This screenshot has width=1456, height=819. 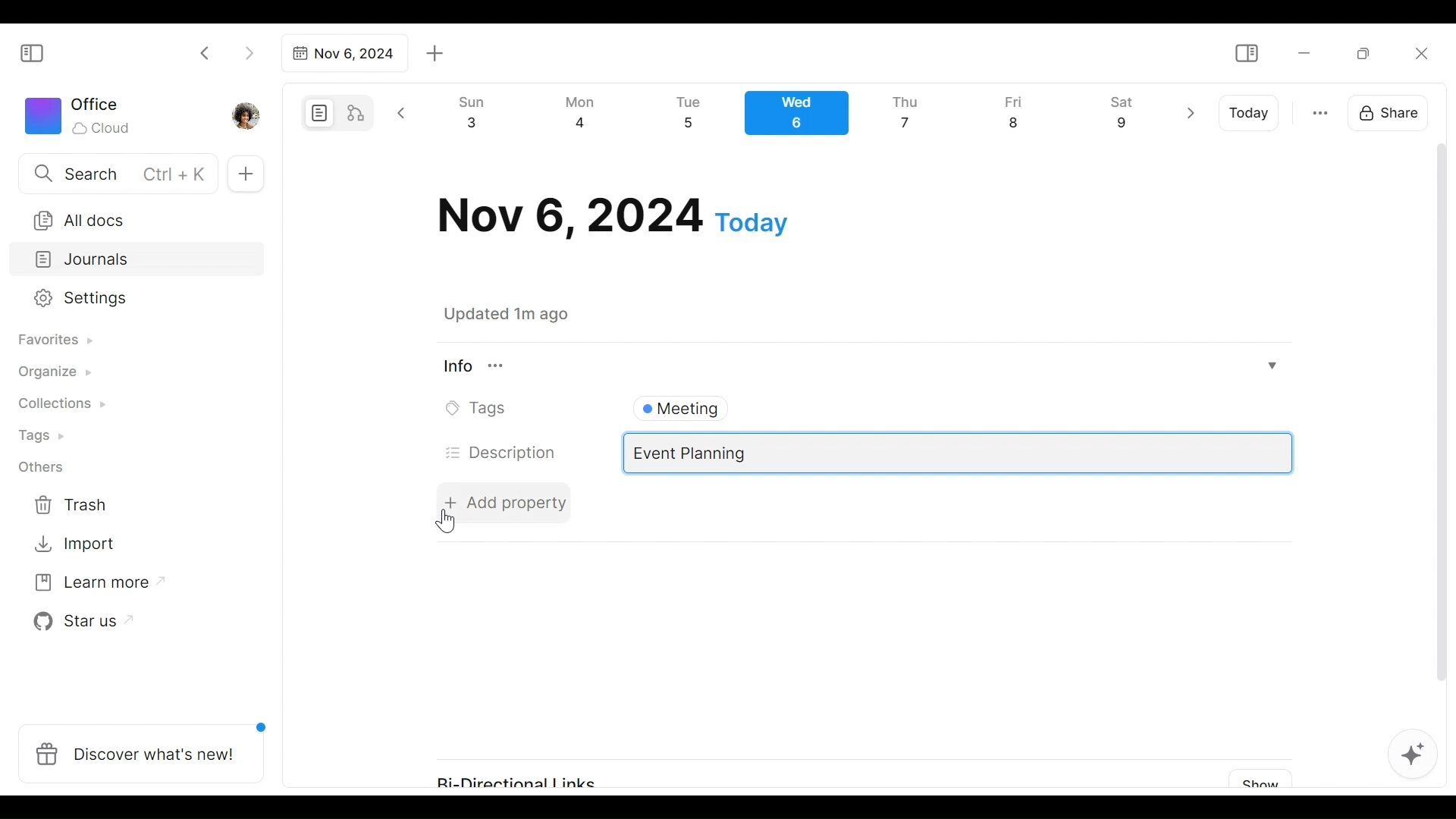 I want to click on All documents, so click(x=131, y=218).